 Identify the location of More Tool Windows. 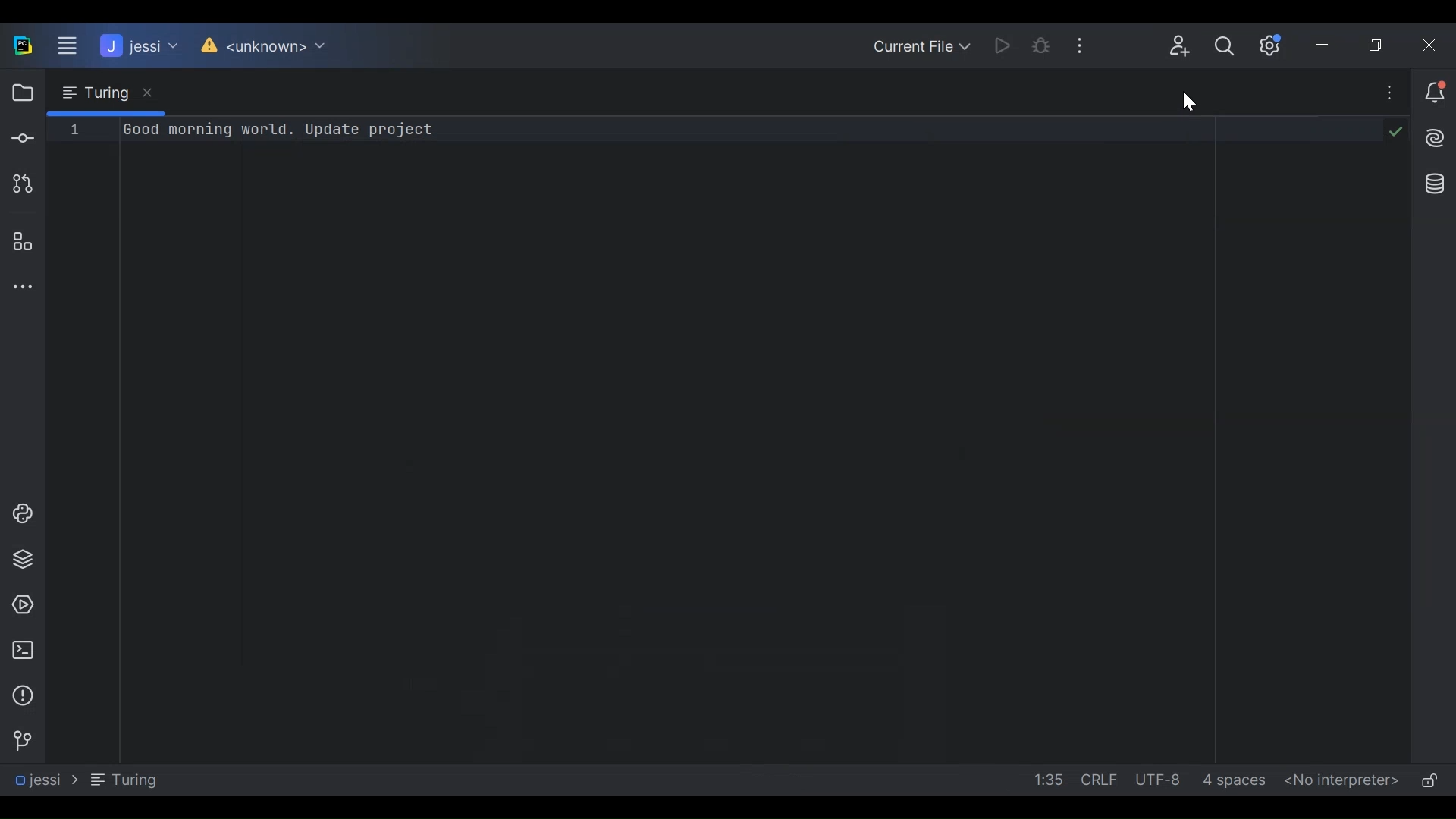
(20, 287).